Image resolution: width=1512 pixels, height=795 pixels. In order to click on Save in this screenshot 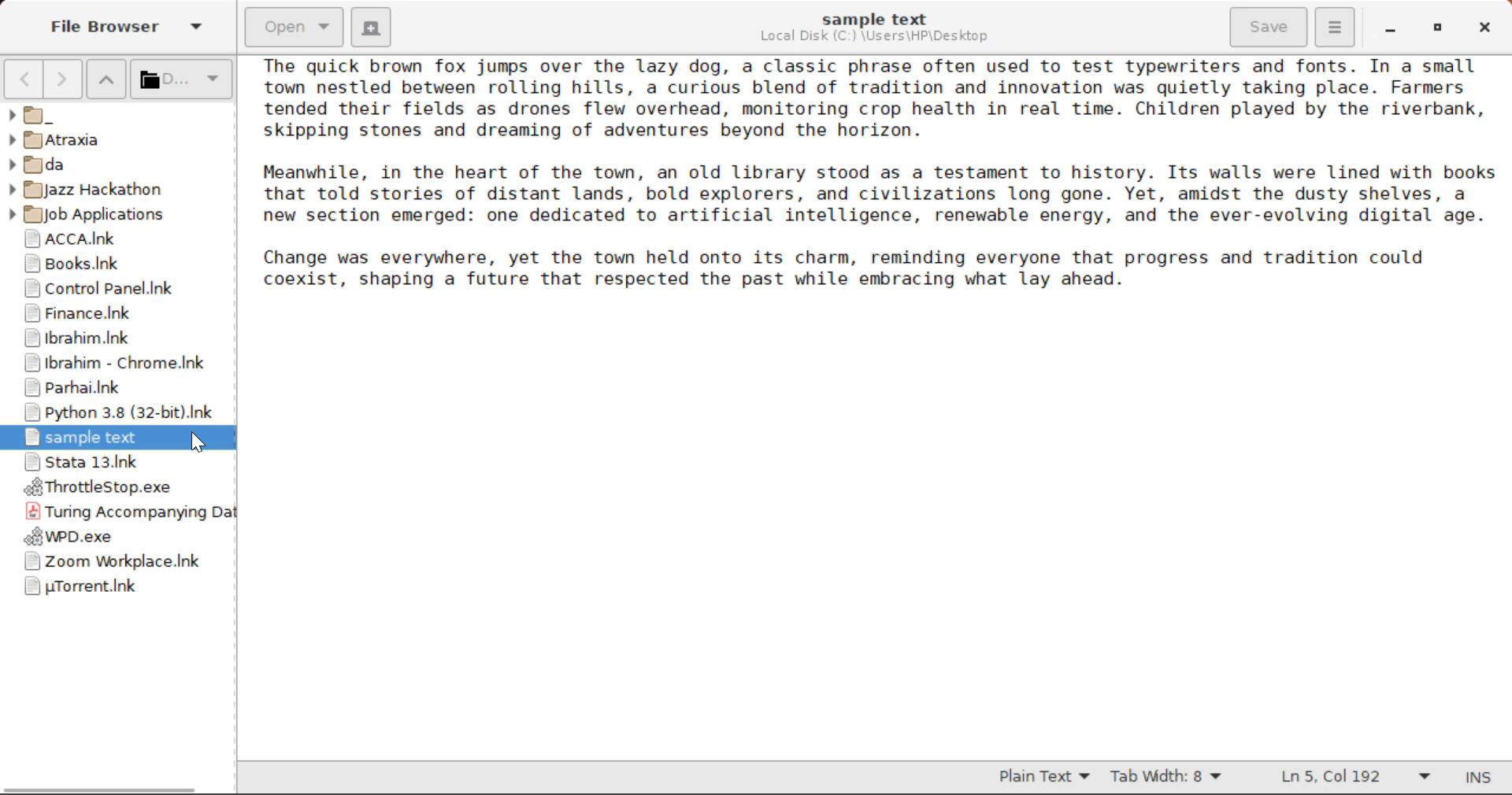, I will do `click(1270, 28)`.